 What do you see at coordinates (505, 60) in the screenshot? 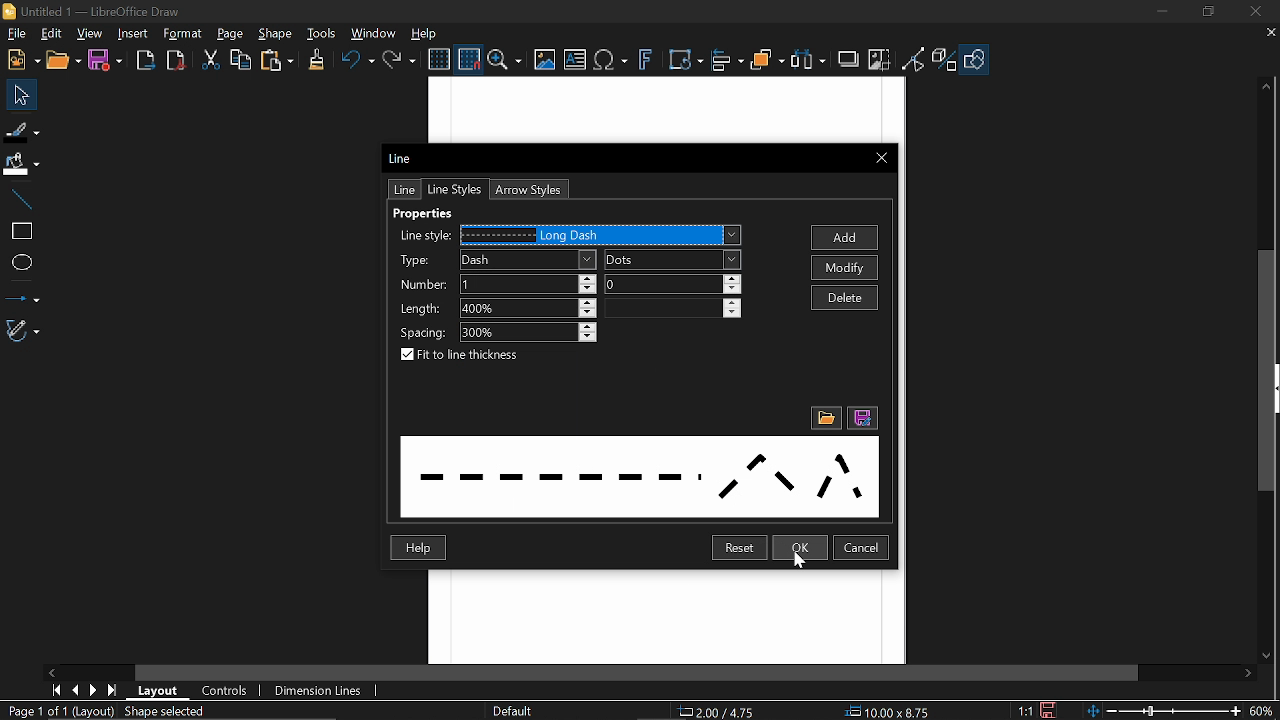
I see `Zoom` at bounding box center [505, 60].